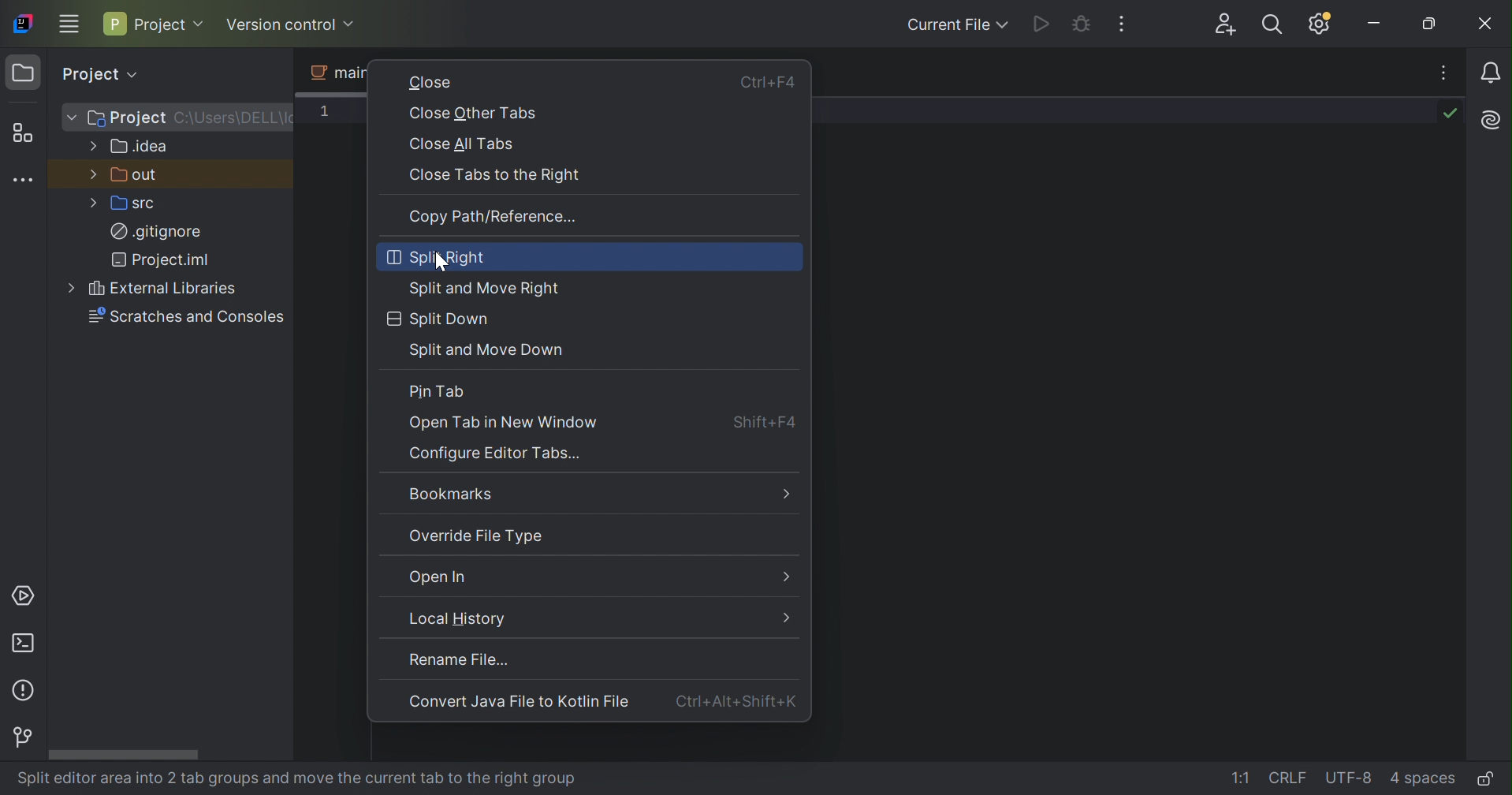 The image size is (1512, 795). I want to click on Terminal, so click(28, 644).